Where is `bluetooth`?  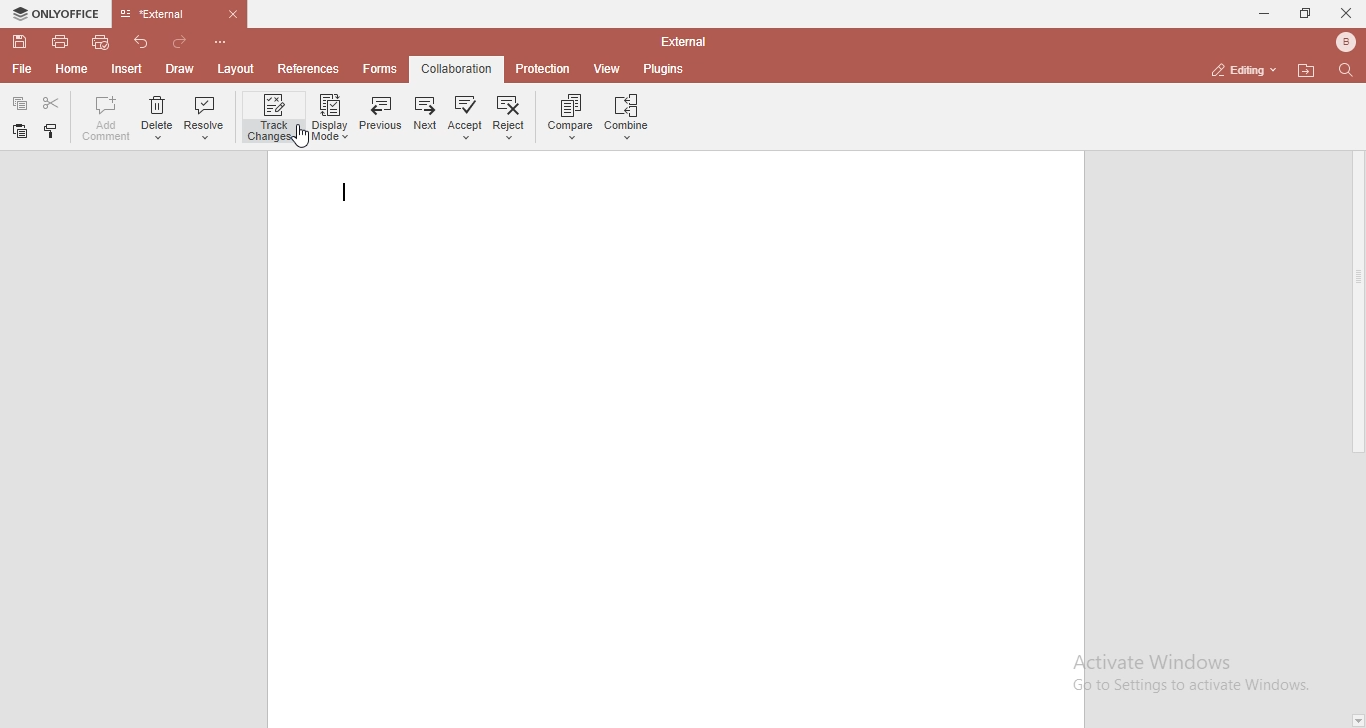 bluetooth is located at coordinates (1346, 42).